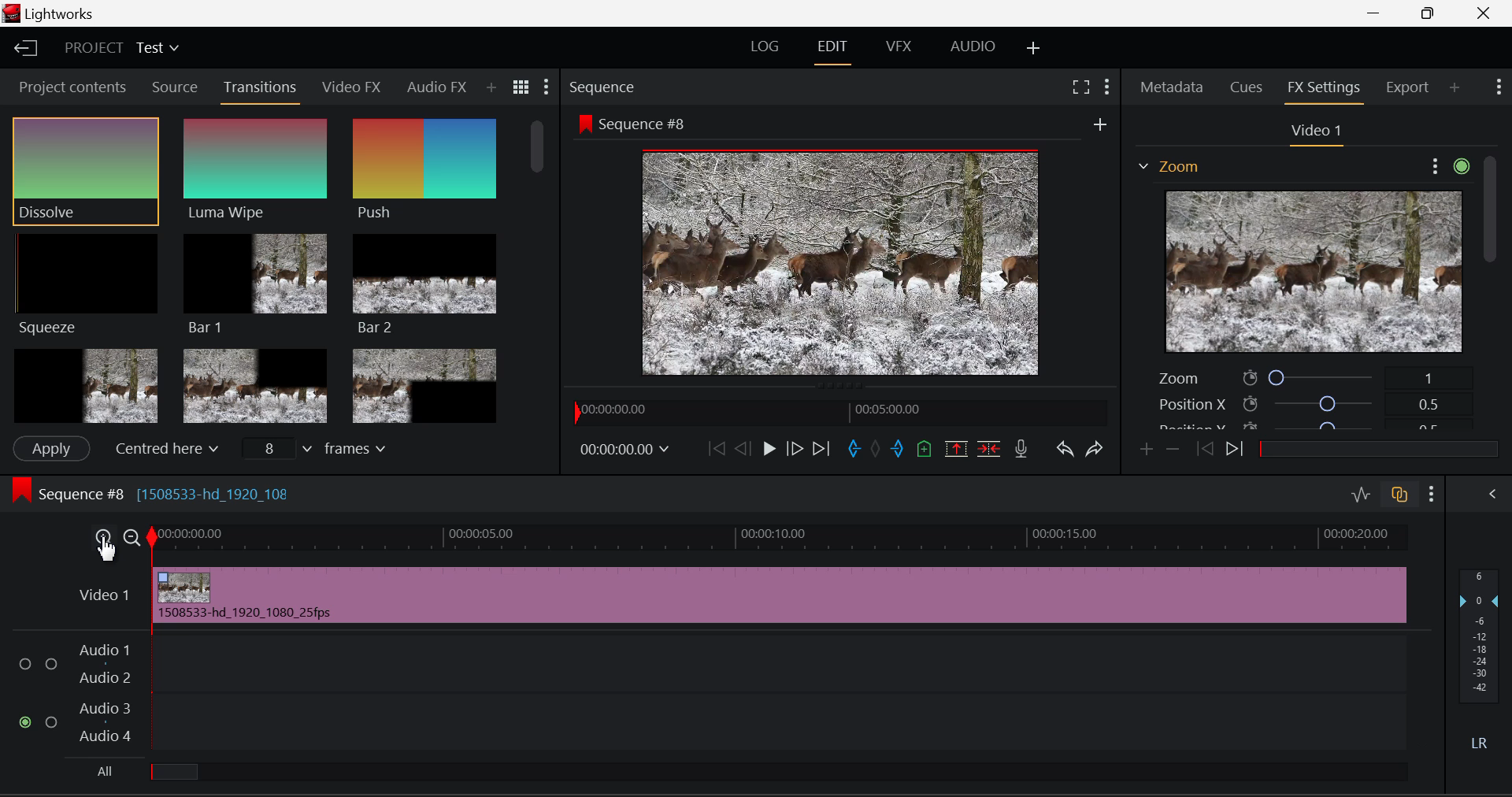 Image resolution: width=1512 pixels, height=797 pixels. I want to click on Add Panel, so click(1454, 87).